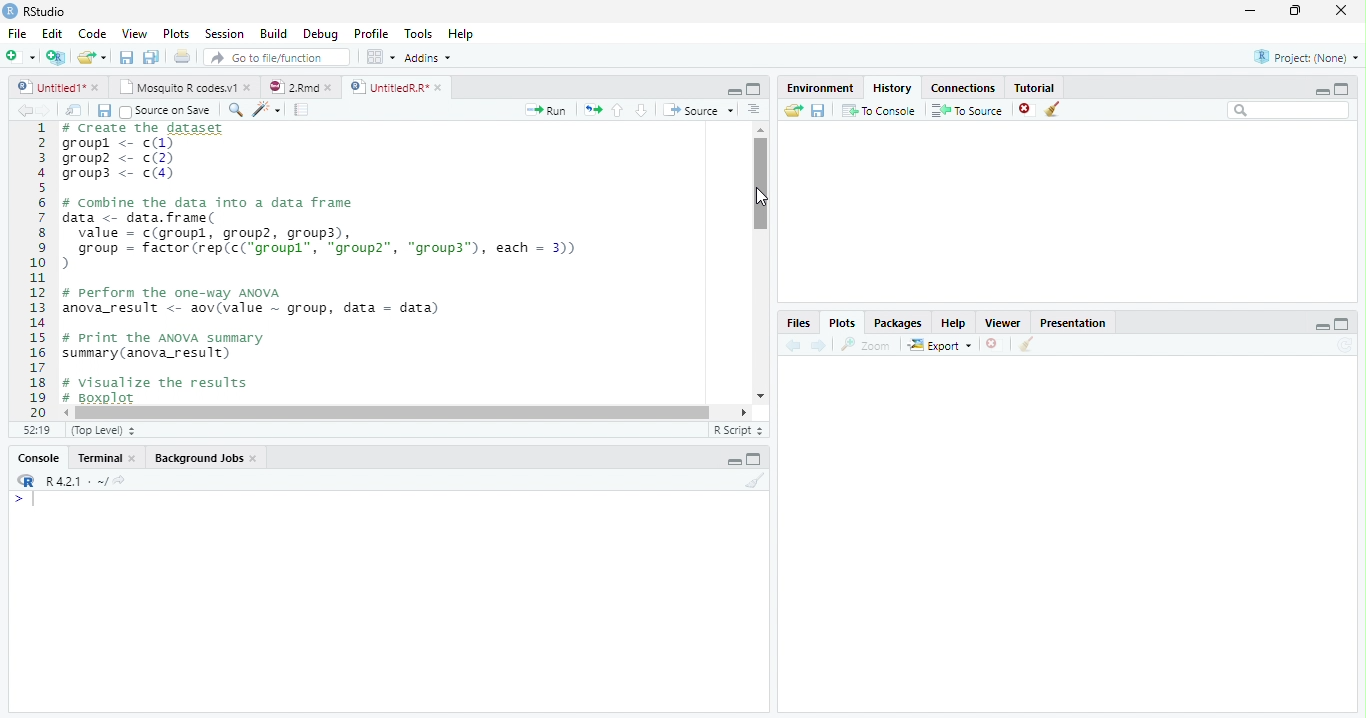 This screenshot has width=1366, height=718. What do you see at coordinates (759, 483) in the screenshot?
I see `Clear console` at bounding box center [759, 483].